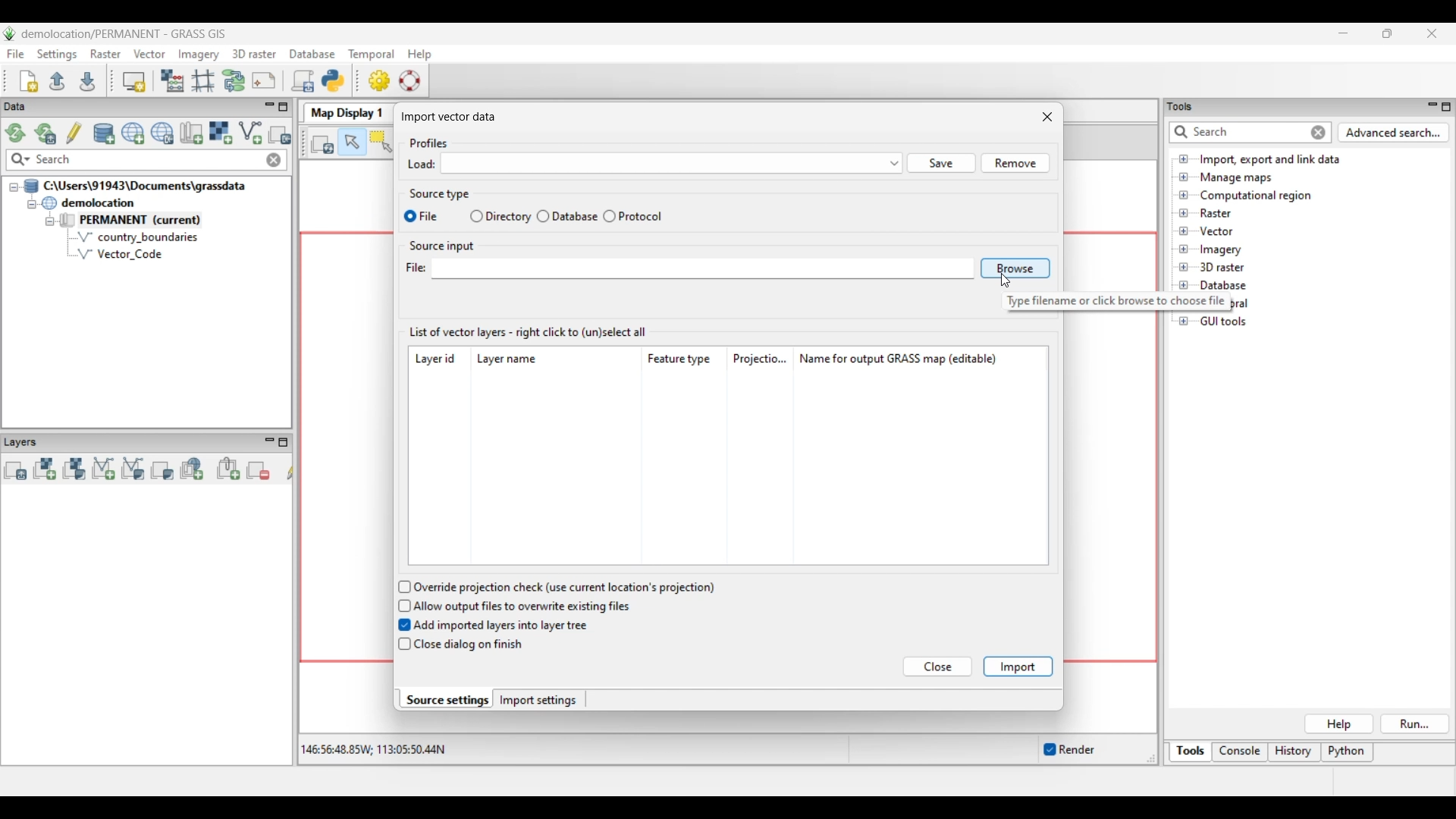 This screenshot has width=1456, height=819. Describe the element at coordinates (1338, 724) in the screenshot. I see `Help` at that location.